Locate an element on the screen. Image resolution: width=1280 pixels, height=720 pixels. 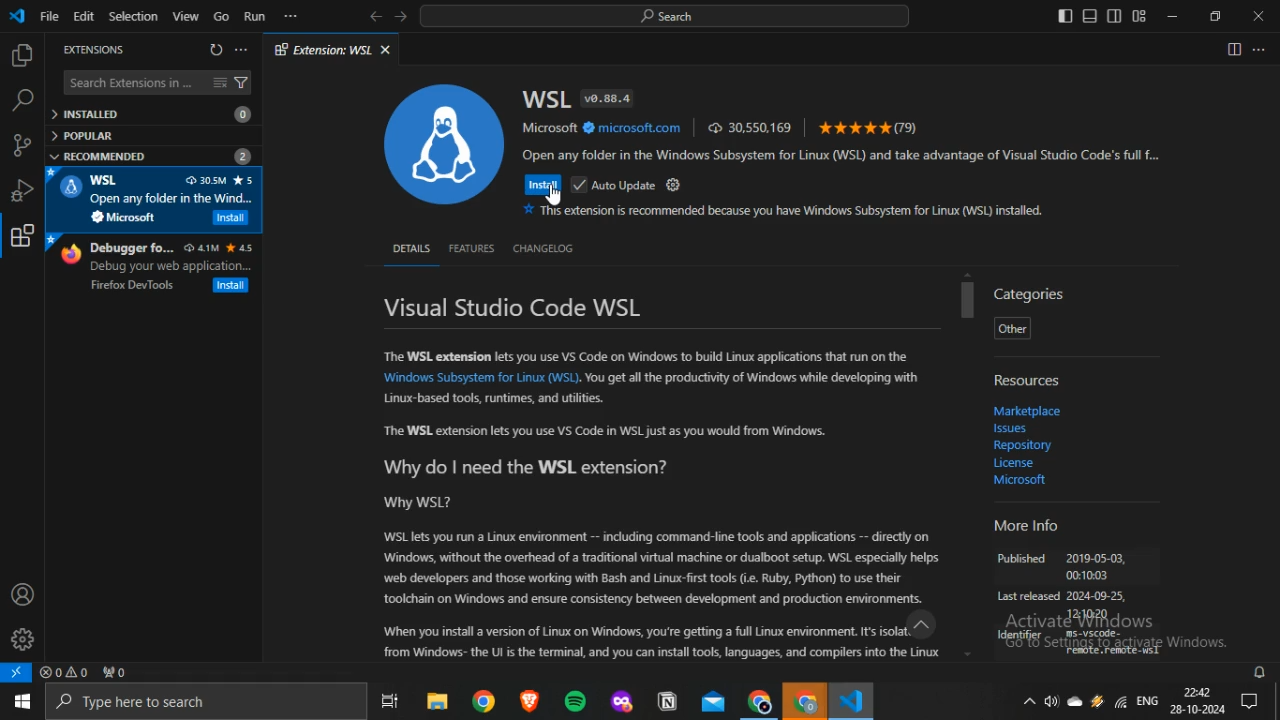
Ws-vscode- is located at coordinates (1094, 634).